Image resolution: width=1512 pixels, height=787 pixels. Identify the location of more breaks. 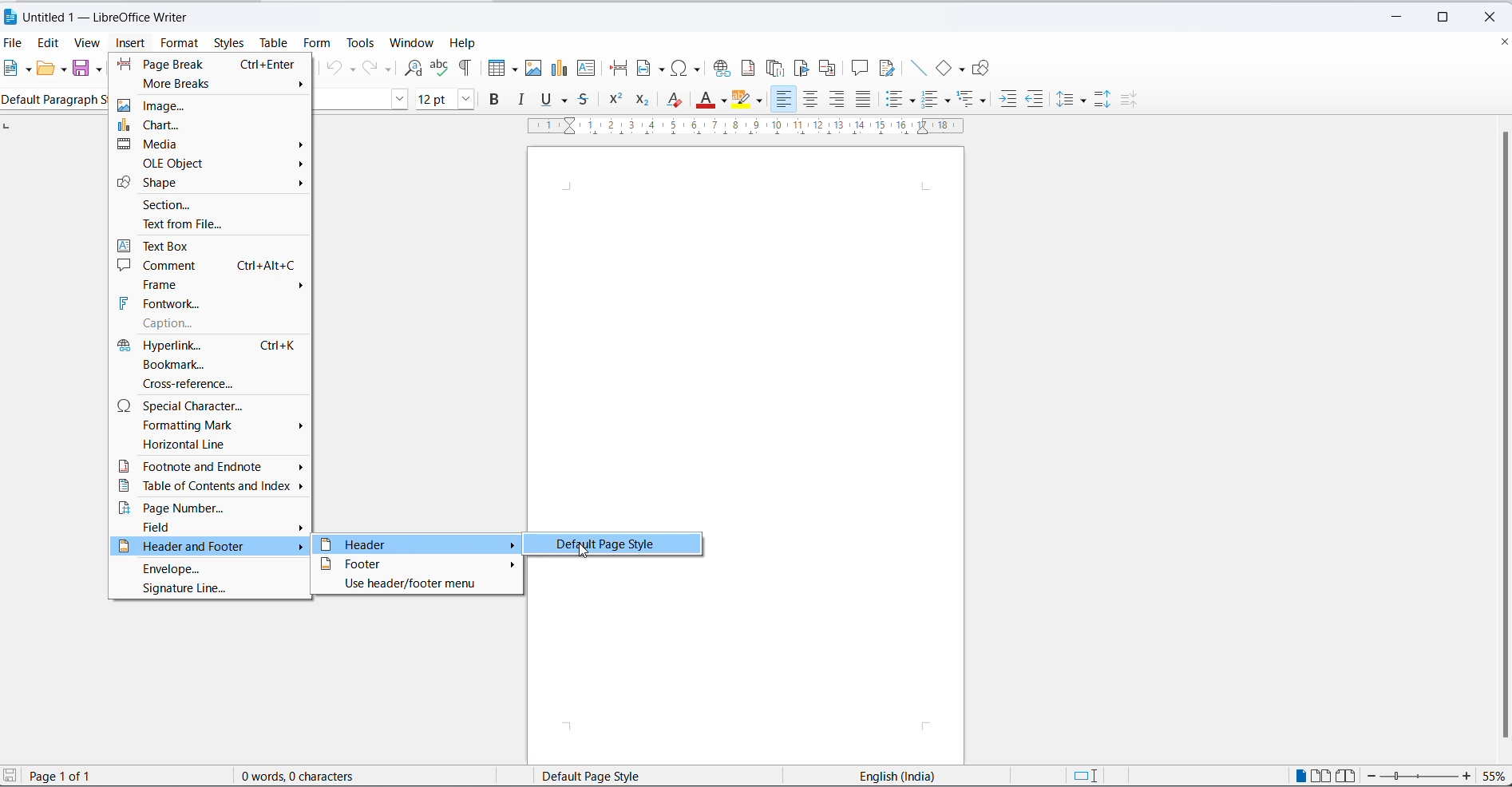
(213, 85).